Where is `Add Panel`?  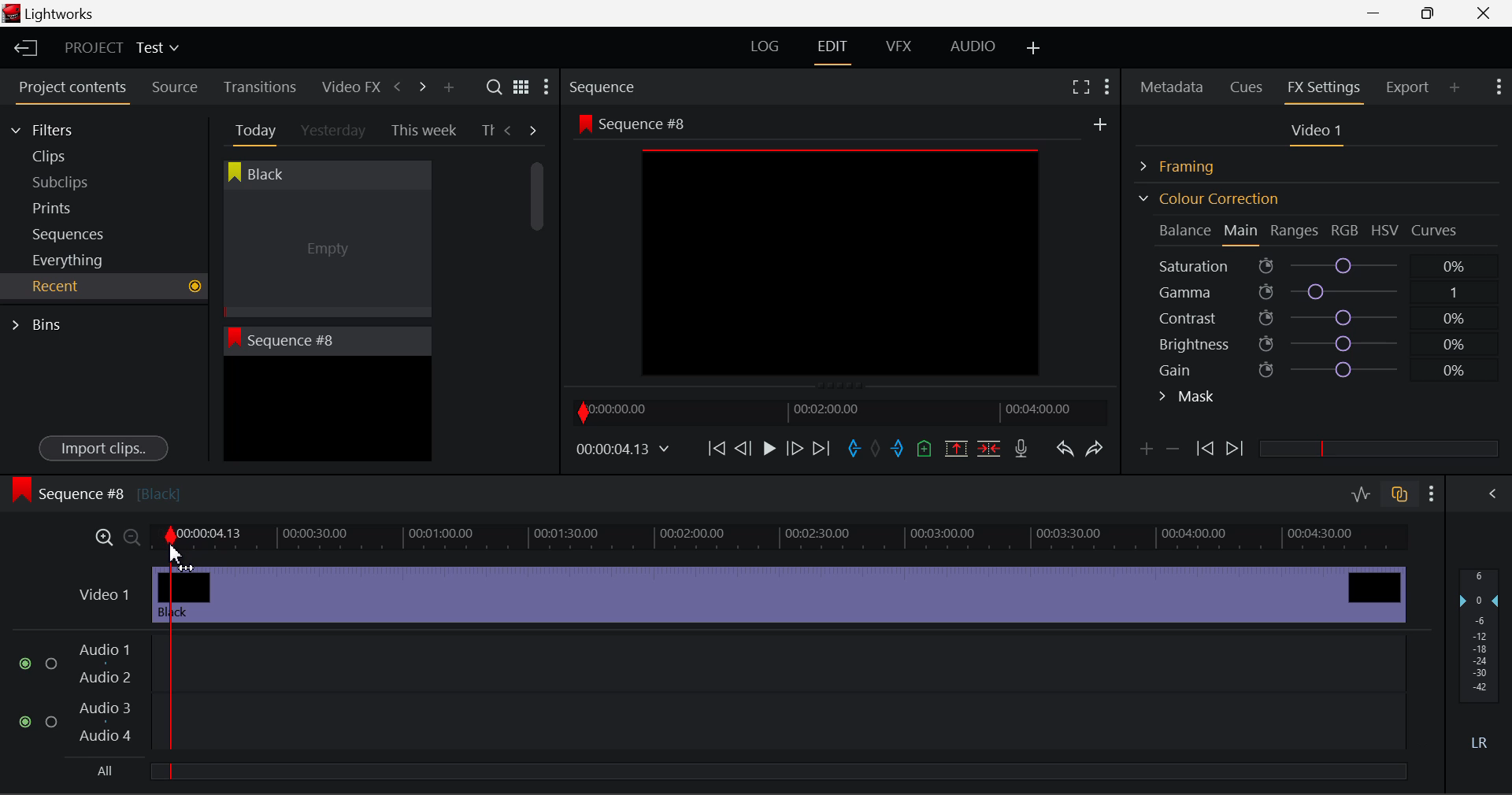 Add Panel is located at coordinates (1455, 87).